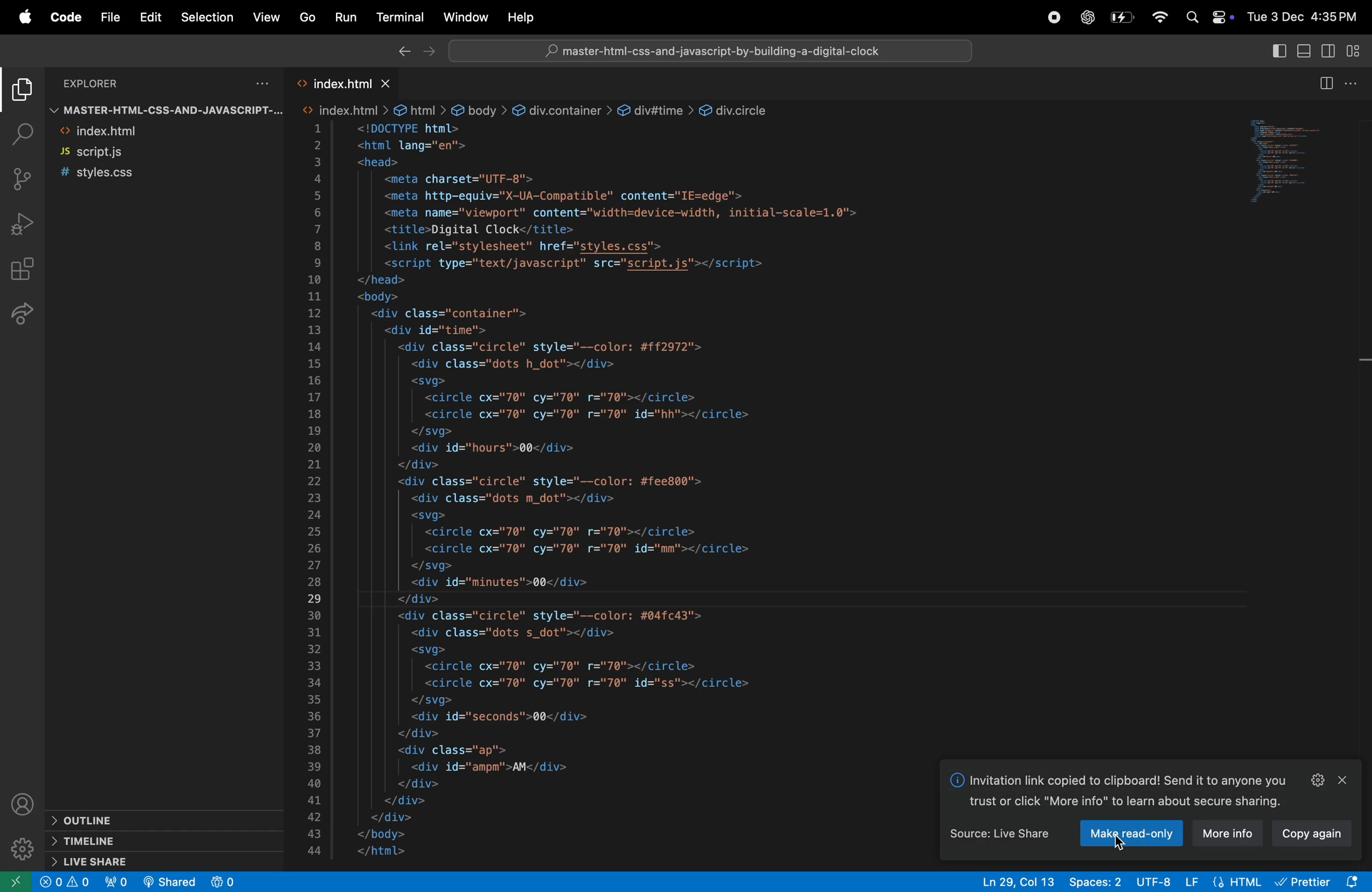  Describe the element at coordinates (1272, 51) in the screenshot. I see `toggle primary side bar` at that location.